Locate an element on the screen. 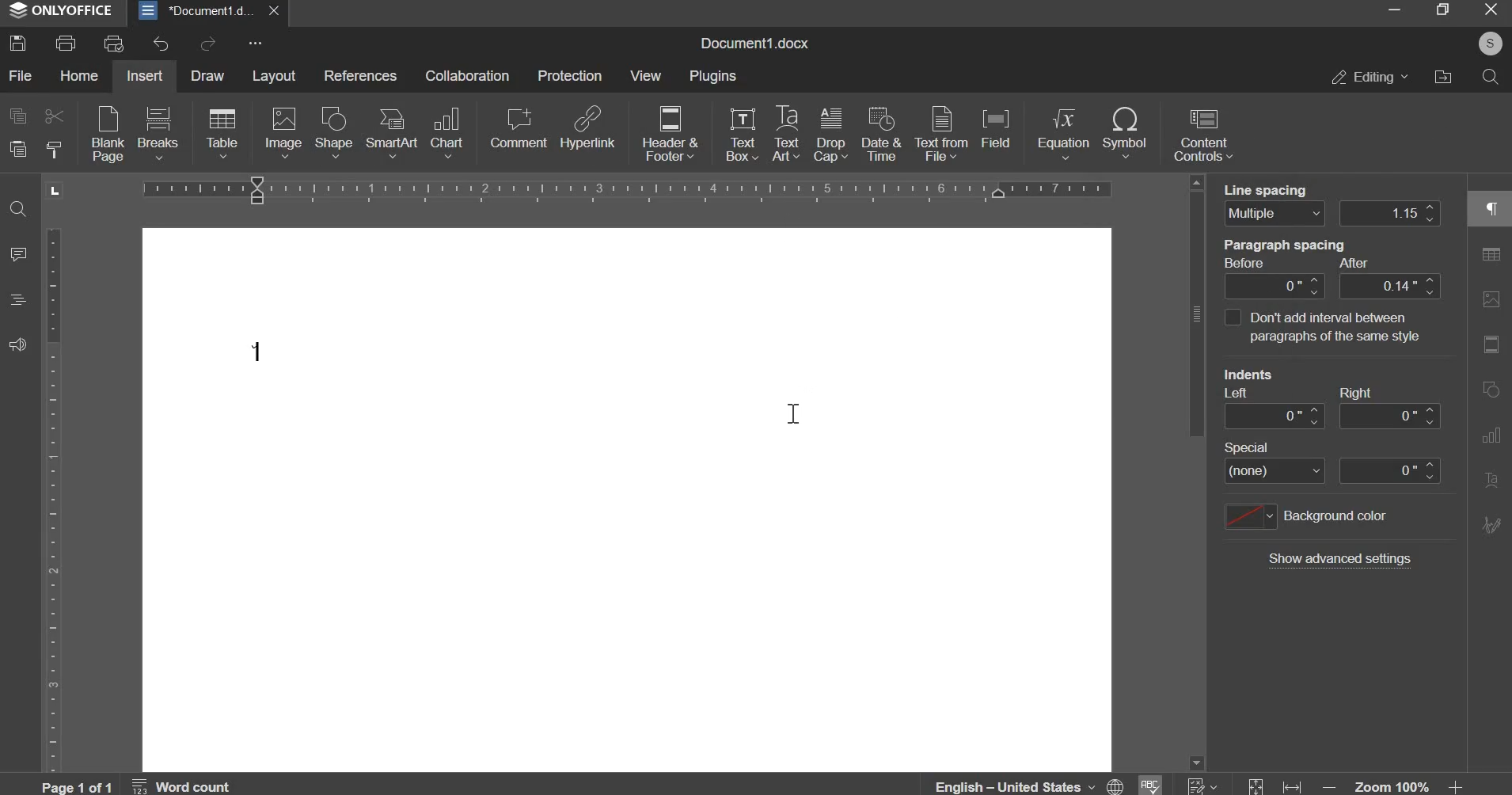 This screenshot has width=1512, height=795. home is located at coordinates (78, 75).